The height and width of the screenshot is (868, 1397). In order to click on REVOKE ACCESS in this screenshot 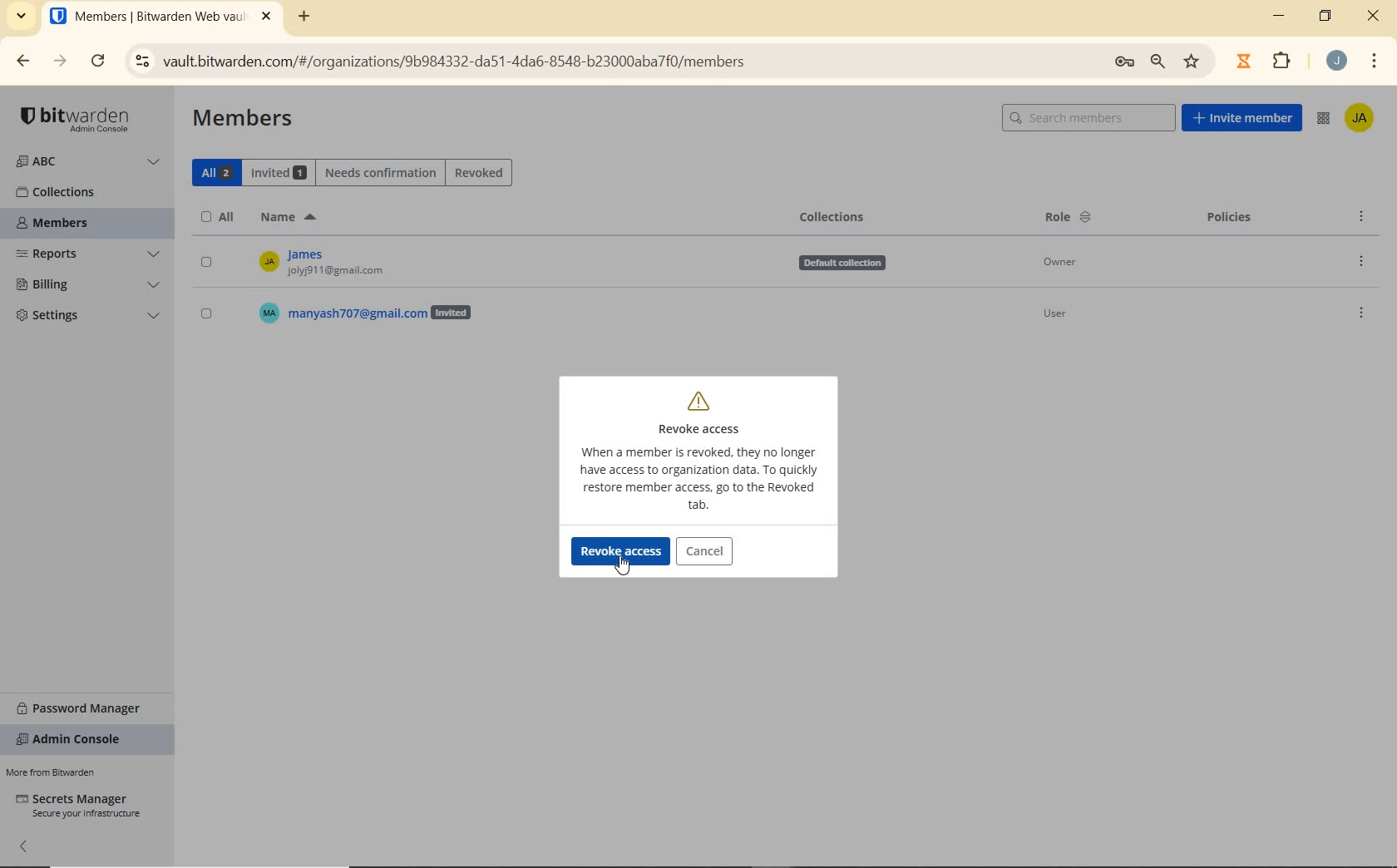, I will do `click(705, 415)`.